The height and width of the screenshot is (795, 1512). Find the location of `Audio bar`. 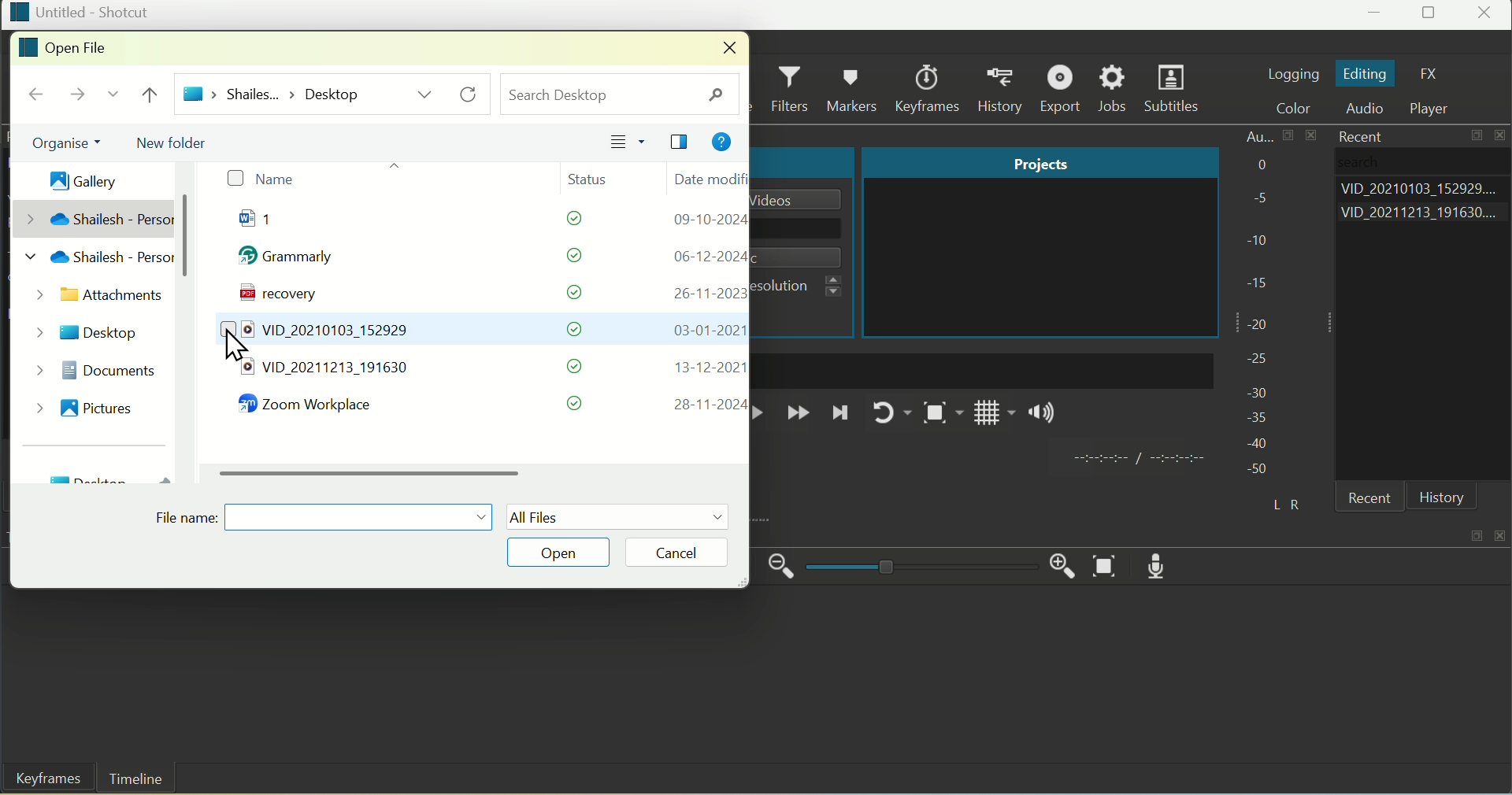

Audio bar is located at coordinates (1258, 301).